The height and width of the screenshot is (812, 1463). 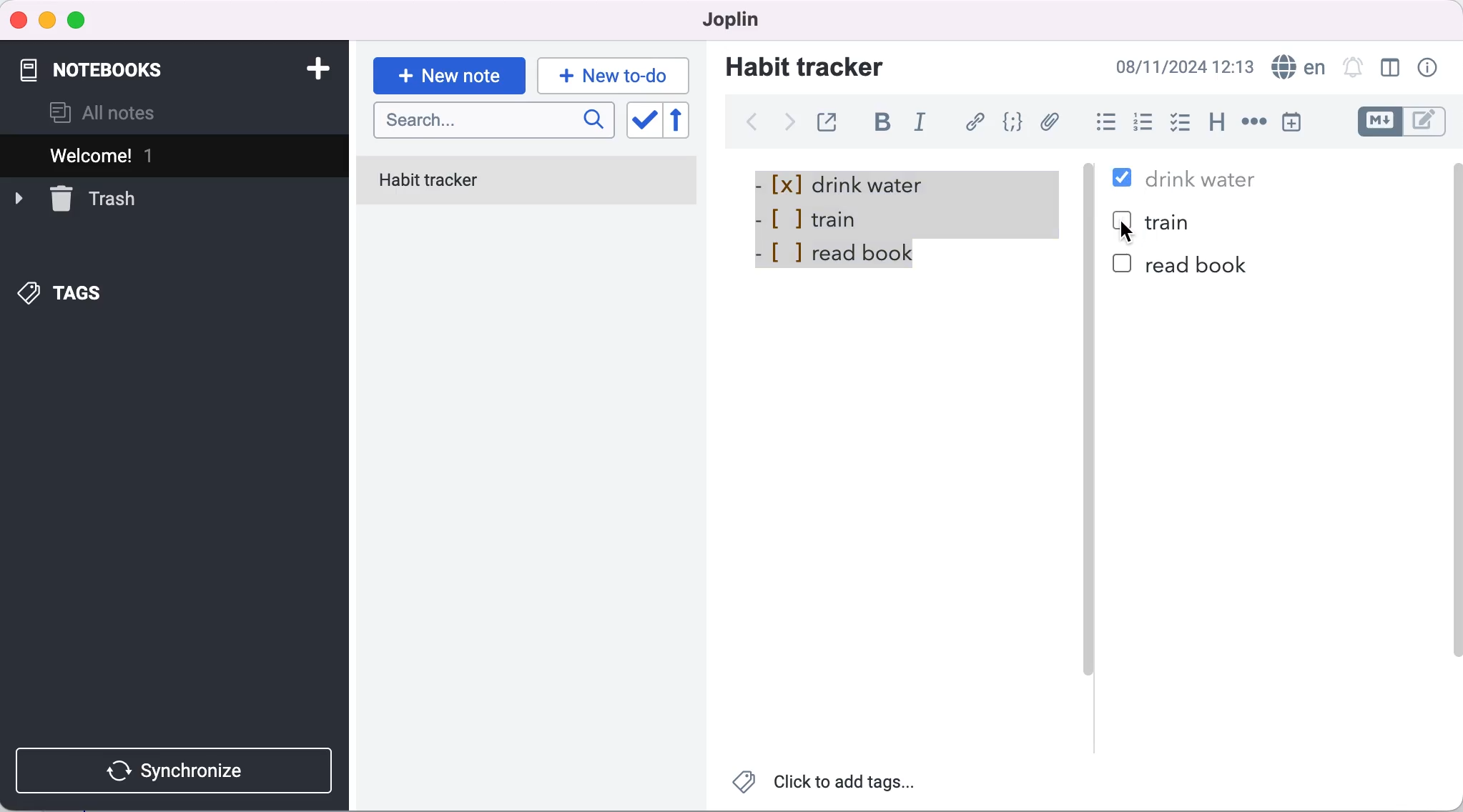 What do you see at coordinates (924, 124) in the screenshot?
I see `italic` at bounding box center [924, 124].